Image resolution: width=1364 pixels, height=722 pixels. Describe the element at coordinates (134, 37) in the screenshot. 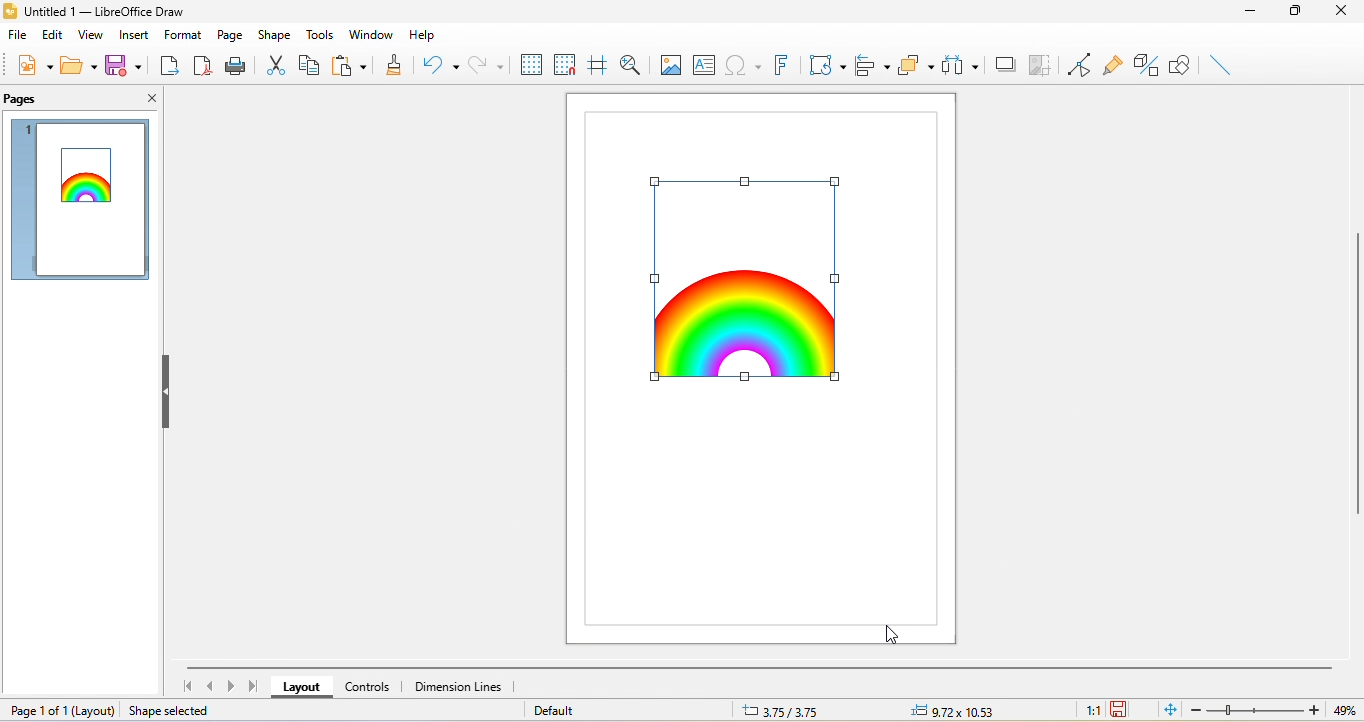

I see `insert` at that location.